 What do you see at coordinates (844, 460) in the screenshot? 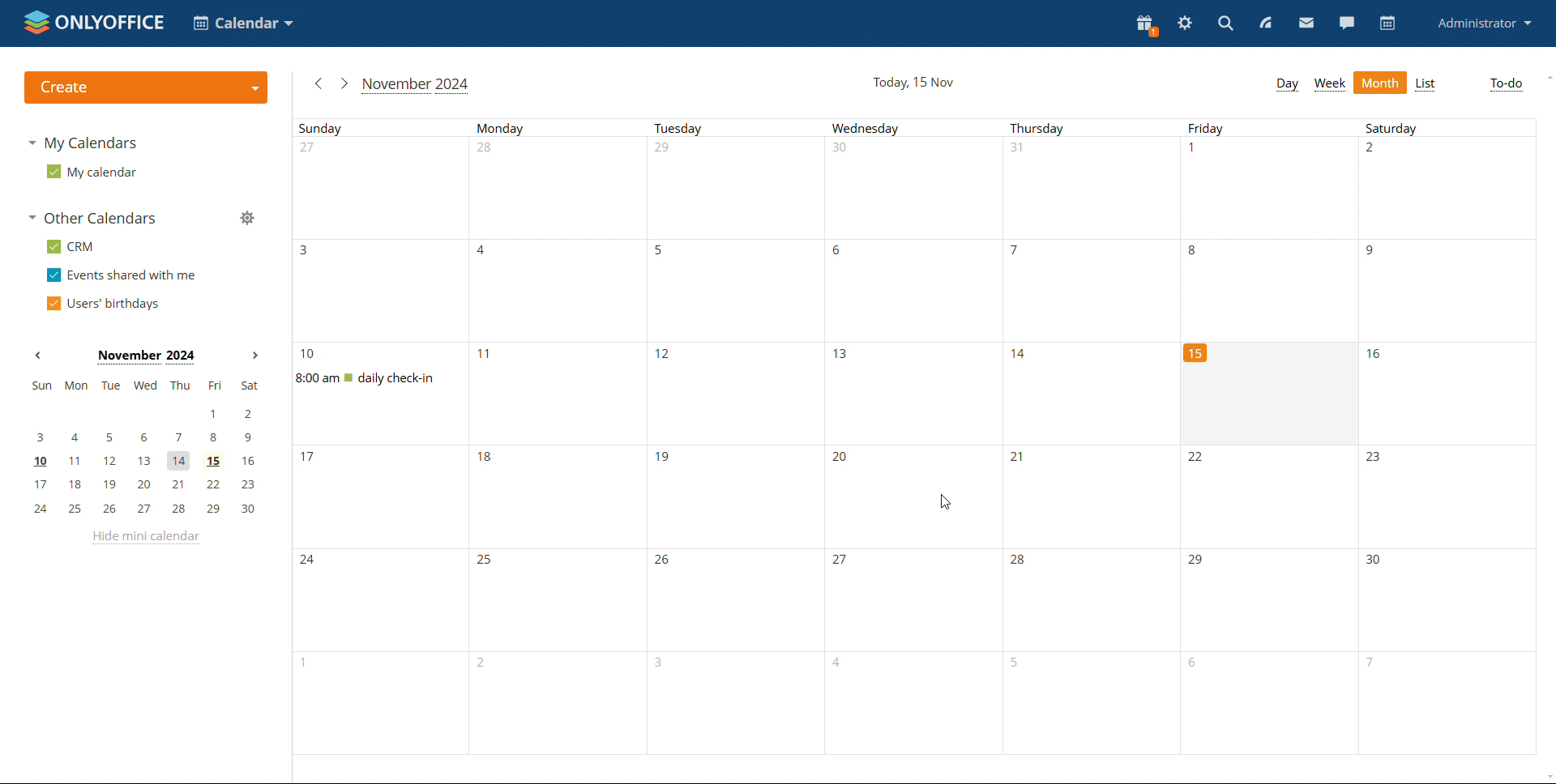
I see `Number` at bounding box center [844, 460].